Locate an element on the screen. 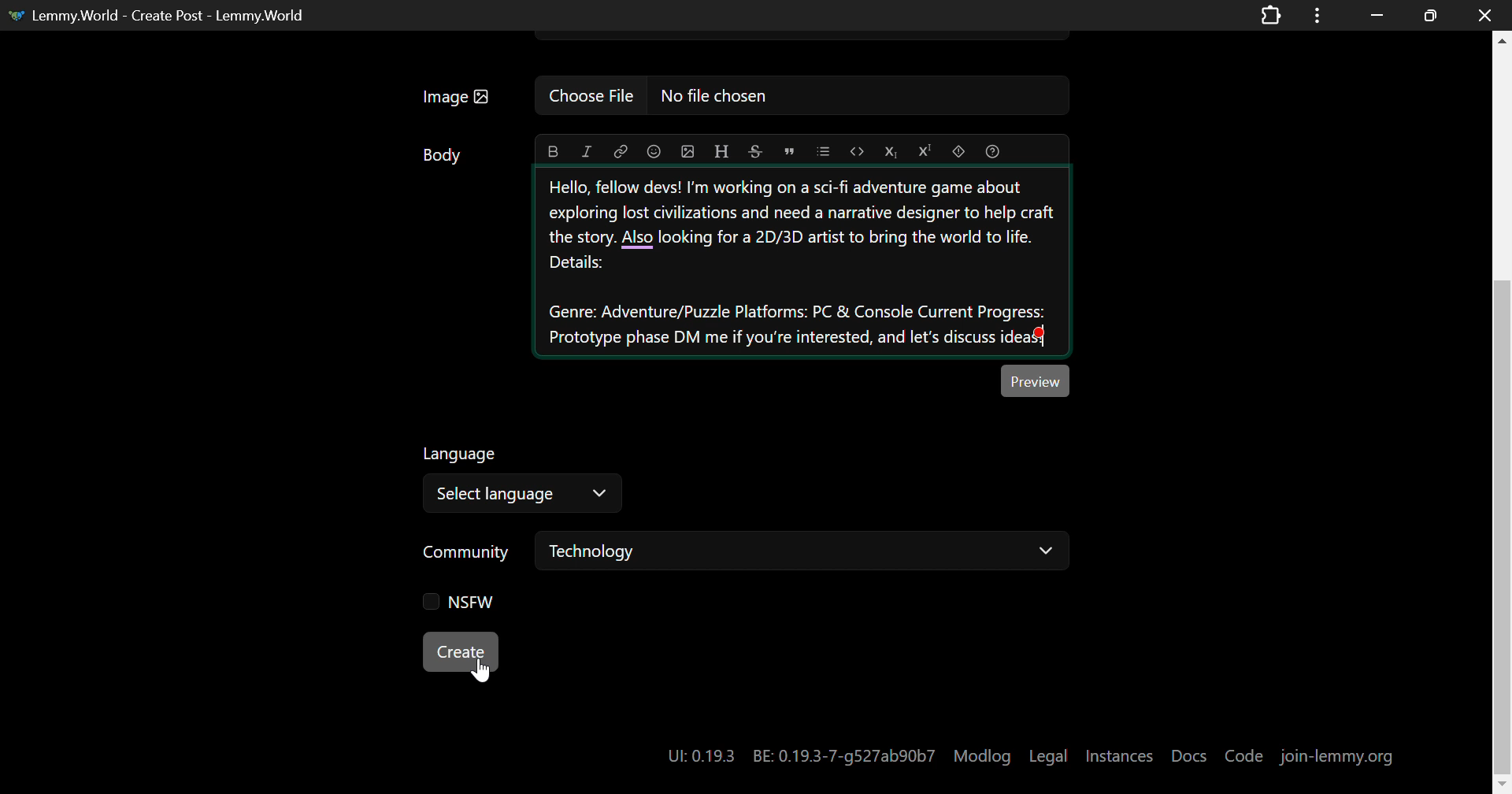  Docs is located at coordinates (1190, 749).